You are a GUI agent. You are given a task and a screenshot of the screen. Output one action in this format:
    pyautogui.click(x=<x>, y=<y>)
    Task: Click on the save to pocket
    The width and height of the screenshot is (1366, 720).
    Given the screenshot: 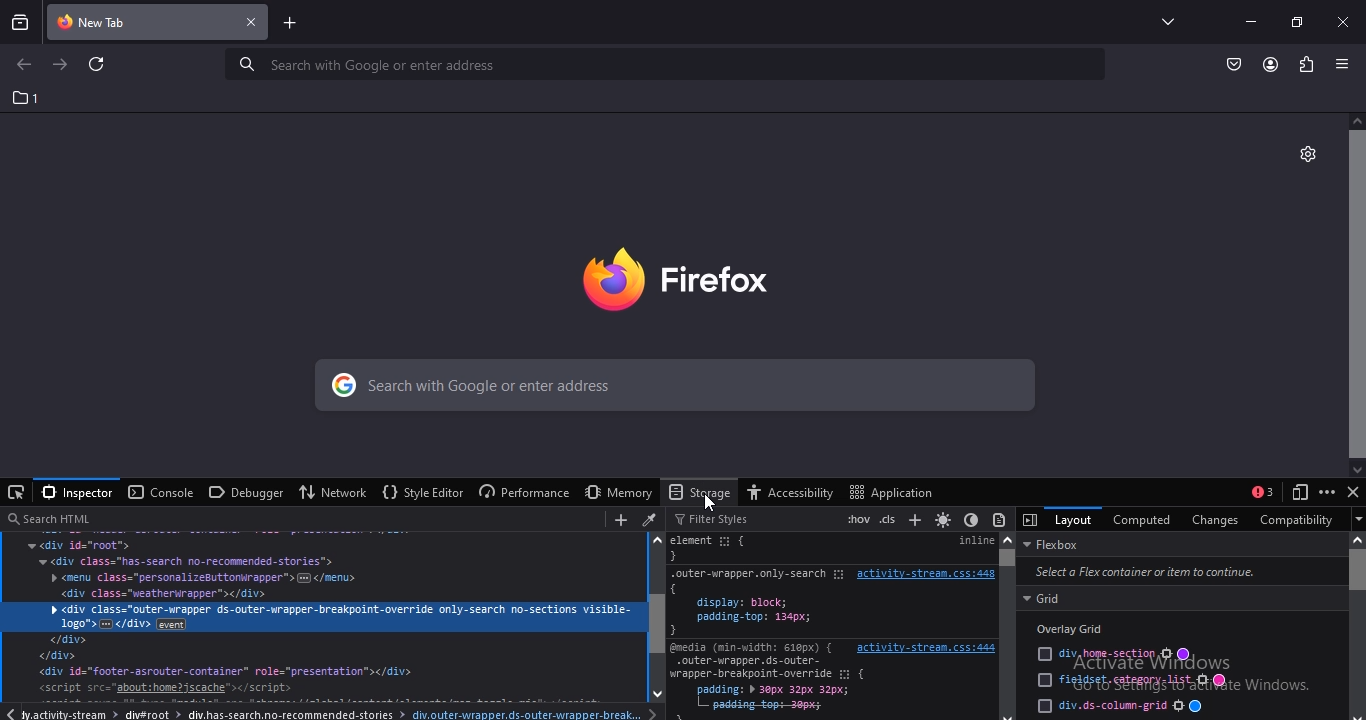 What is the action you would take?
    pyautogui.click(x=1235, y=63)
    